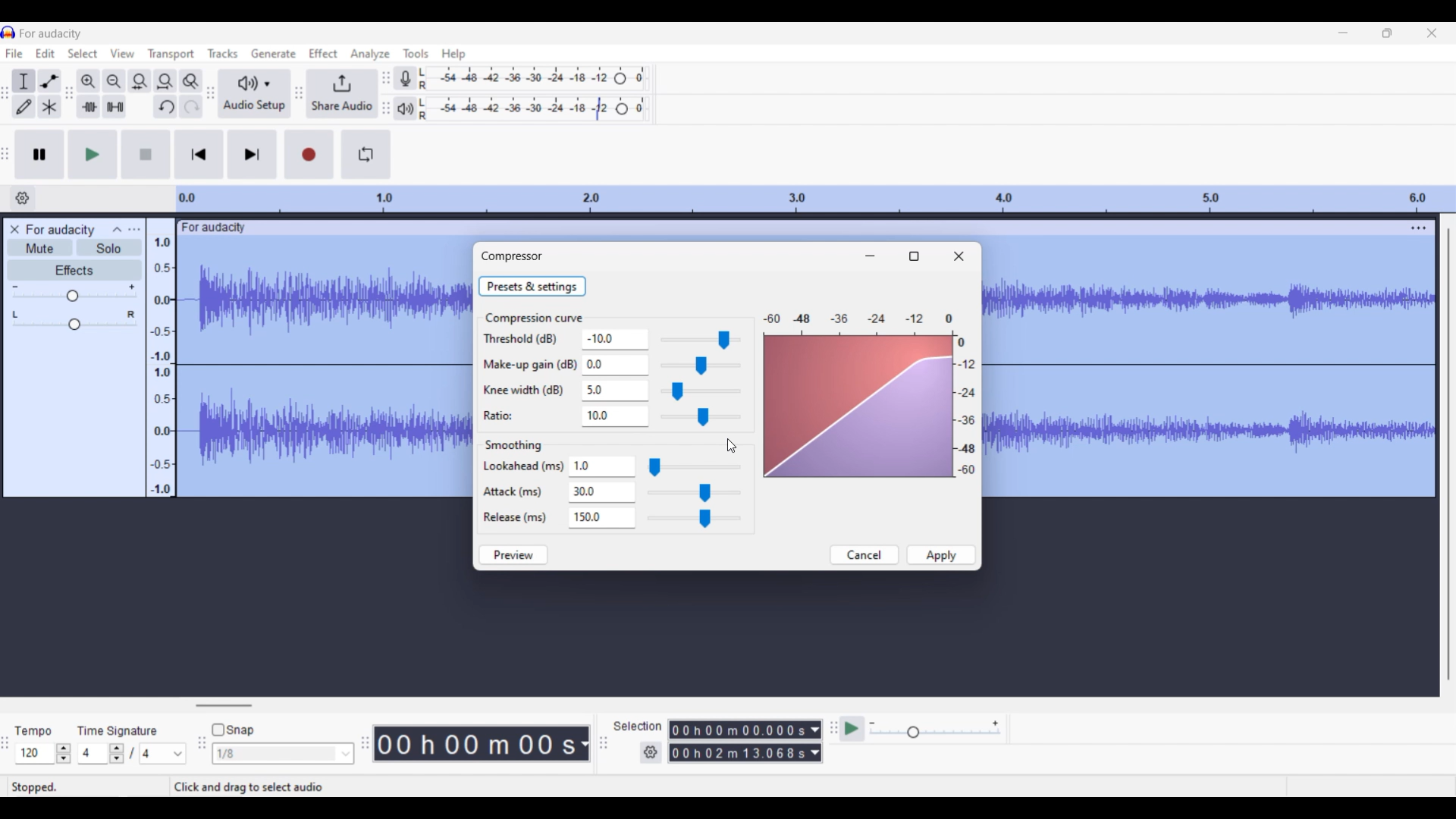 This screenshot has width=1456, height=819. Describe the element at coordinates (89, 107) in the screenshot. I see `Trim audio outside selection` at that location.